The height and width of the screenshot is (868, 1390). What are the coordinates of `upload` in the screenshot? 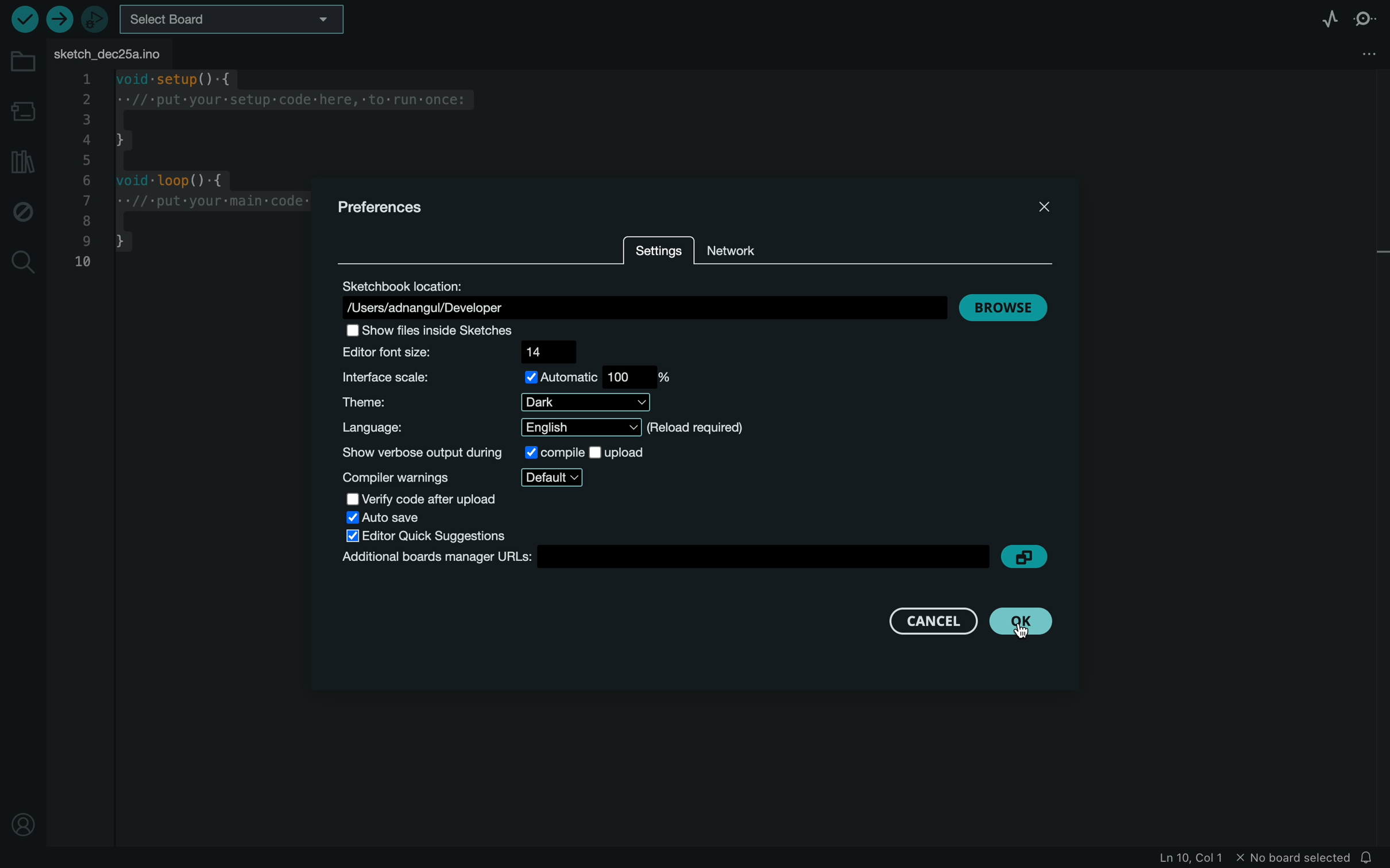 It's located at (59, 20).